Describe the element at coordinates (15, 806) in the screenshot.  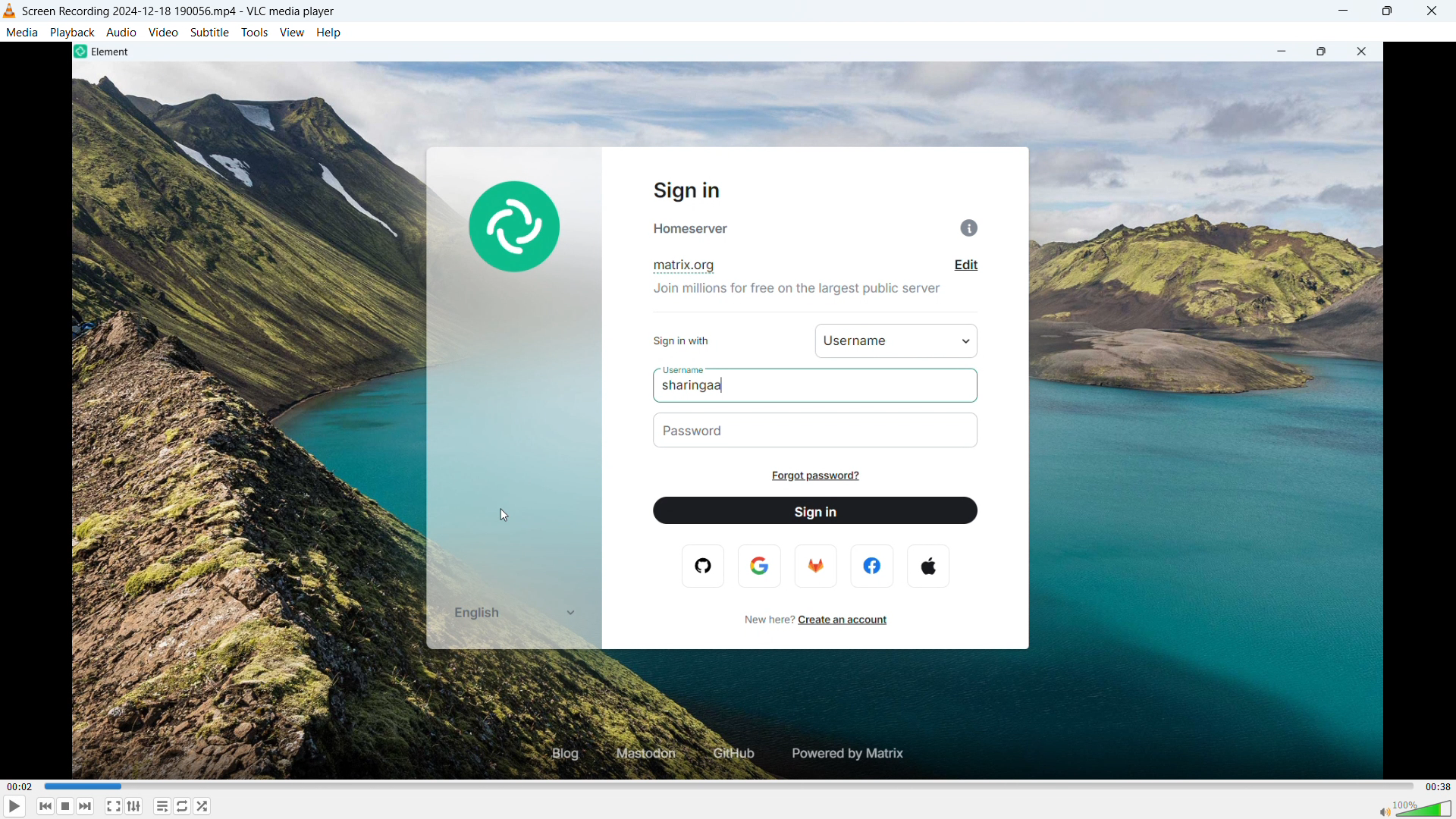
I see `play` at that location.